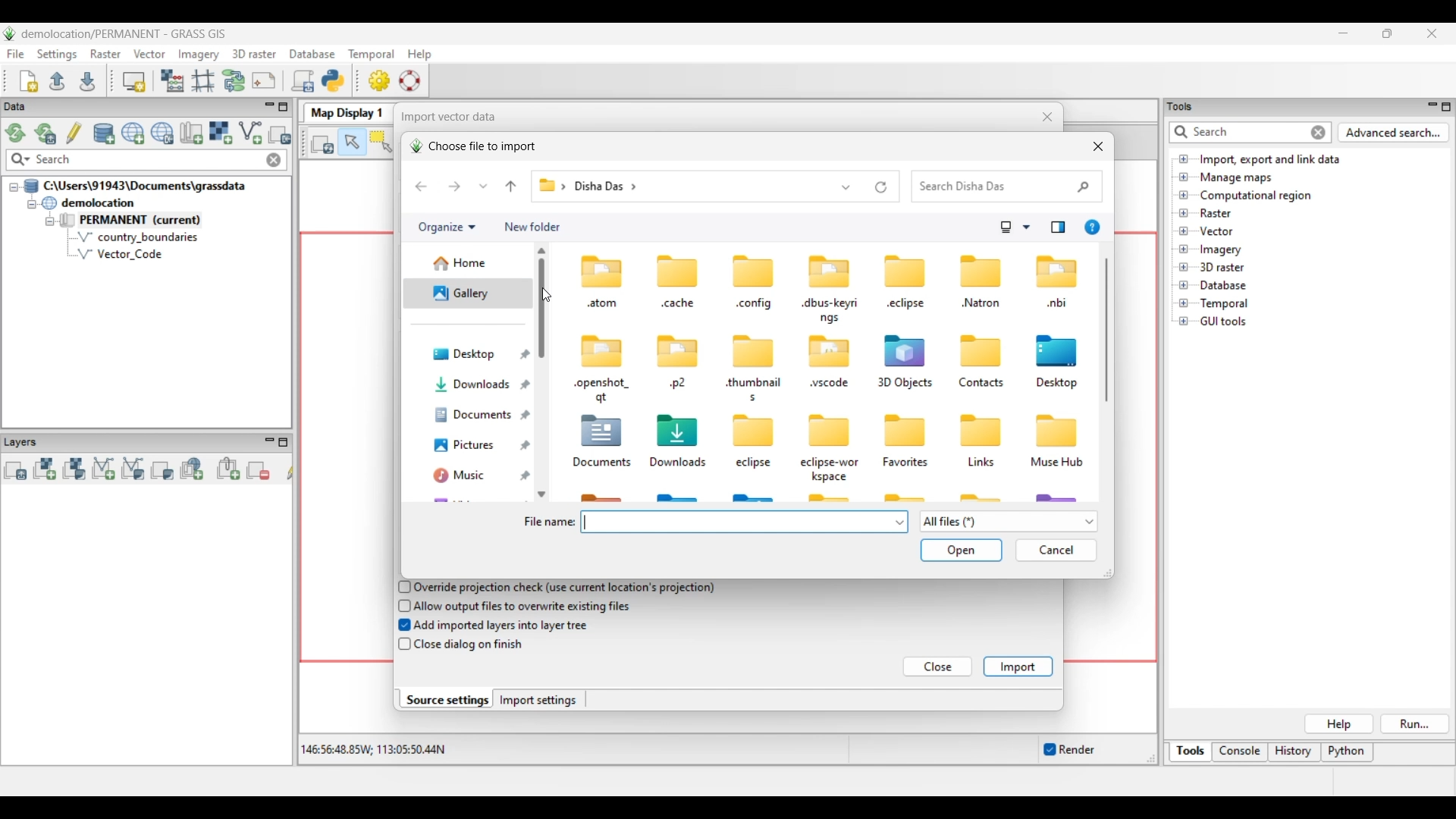 The width and height of the screenshot is (1456, 819). What do you see at coordinates (532, 227) in the screenshot?
I see `Add new folder` at bounding box center [532, 227].